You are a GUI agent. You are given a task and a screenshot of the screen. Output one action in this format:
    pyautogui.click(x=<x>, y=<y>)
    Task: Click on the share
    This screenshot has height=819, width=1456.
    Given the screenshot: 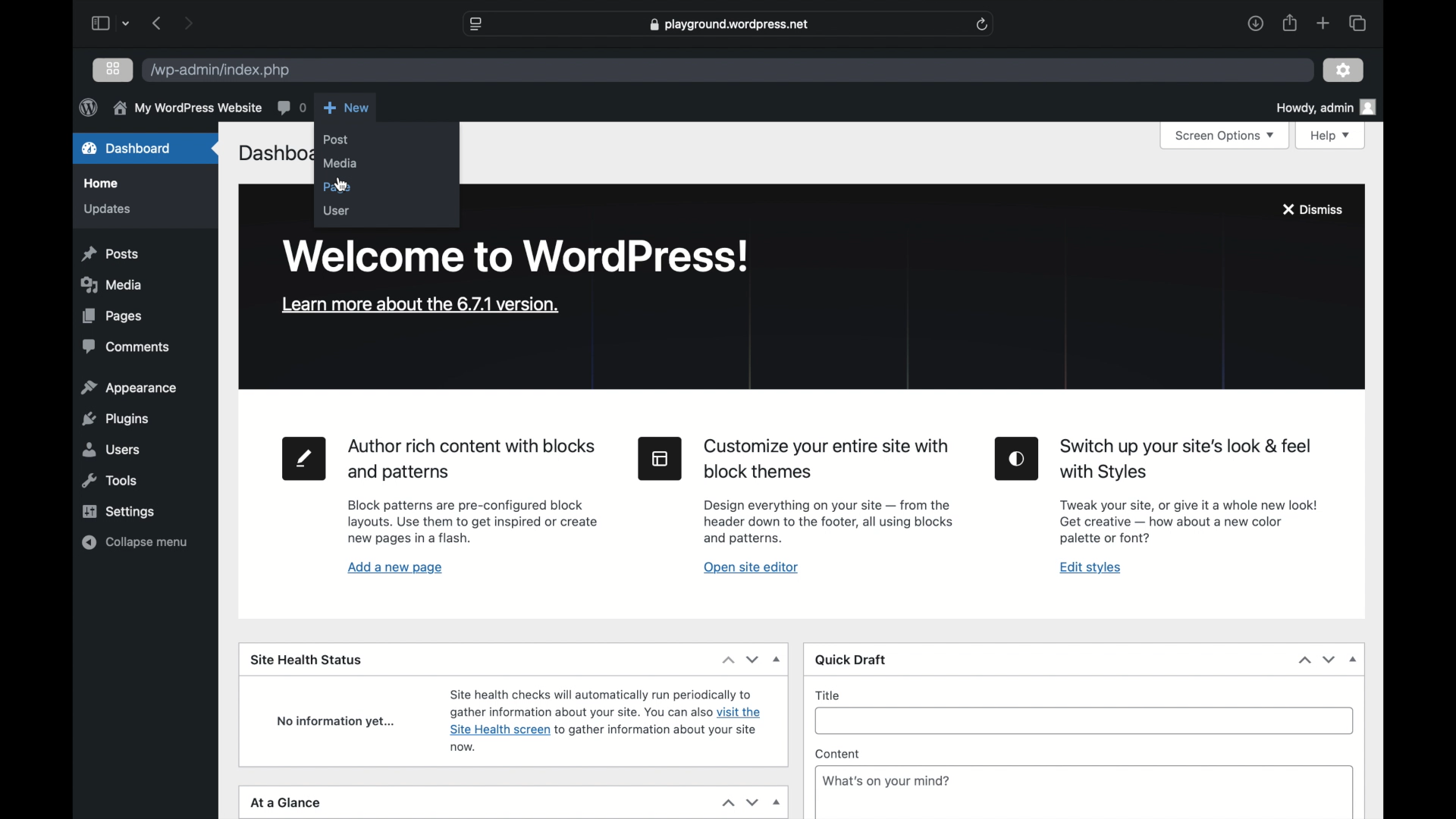 What is the action you would take?
    pyautogui.click(x=1288, y=23)
    